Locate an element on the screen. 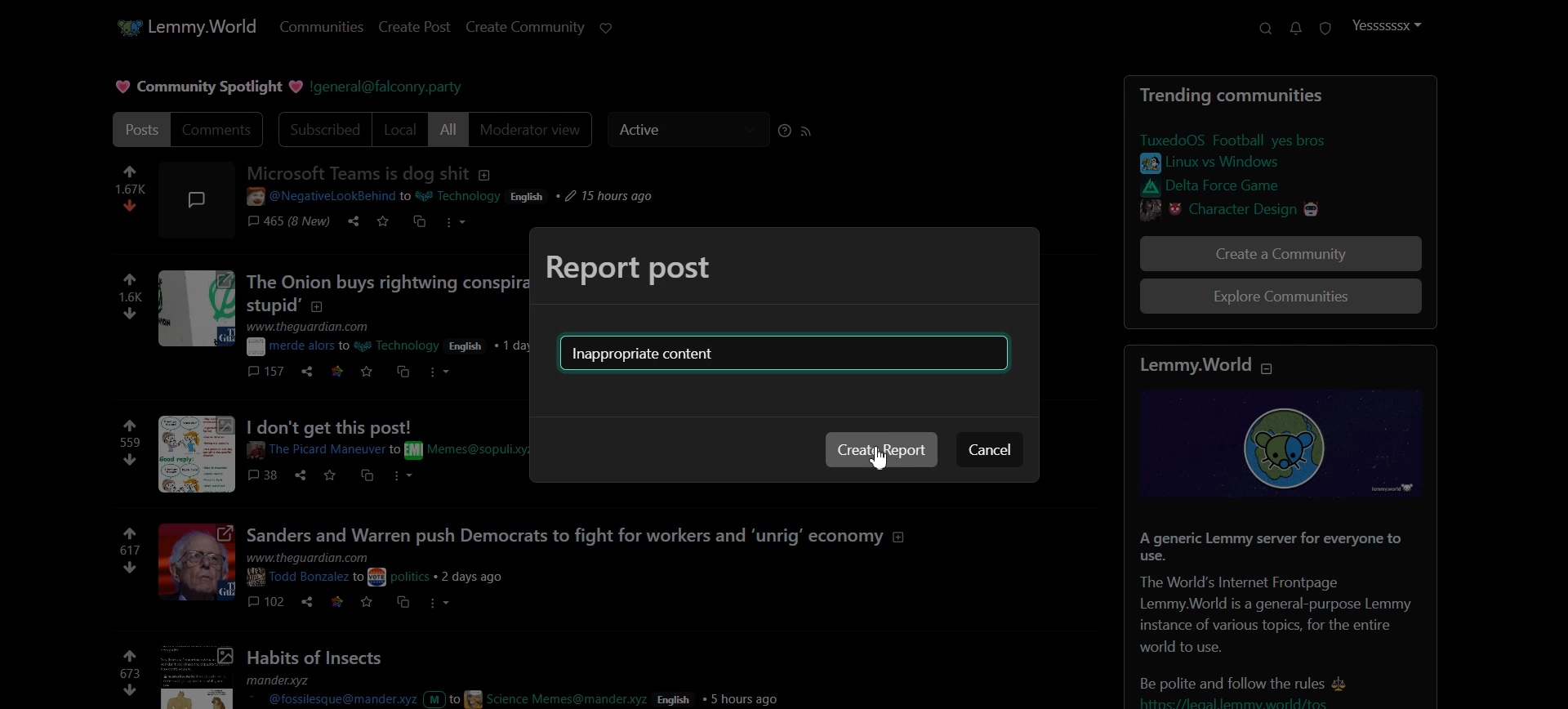  posts is located at coordinates (387, 315).